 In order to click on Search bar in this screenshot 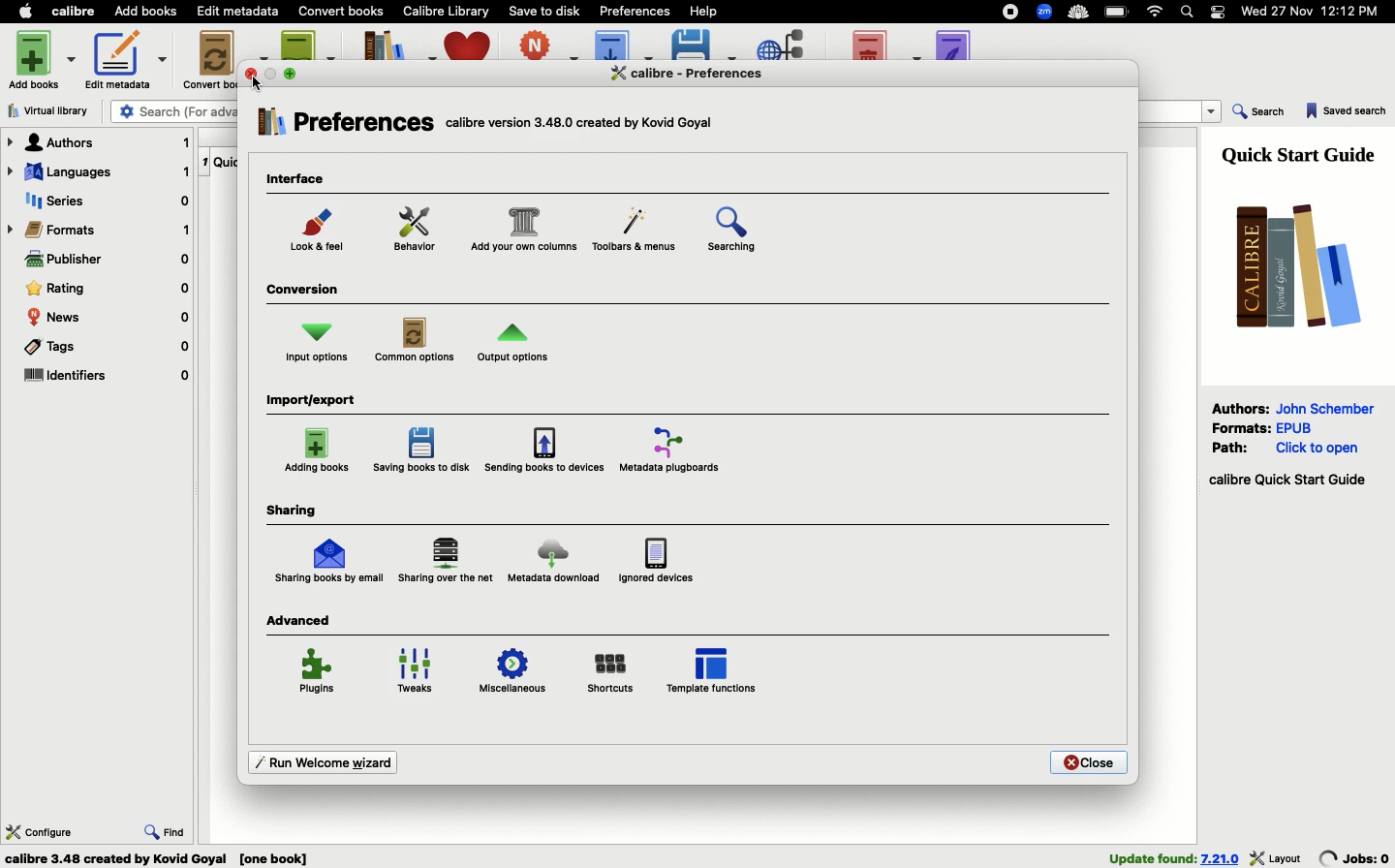, I will do `click(1189, 13)`.